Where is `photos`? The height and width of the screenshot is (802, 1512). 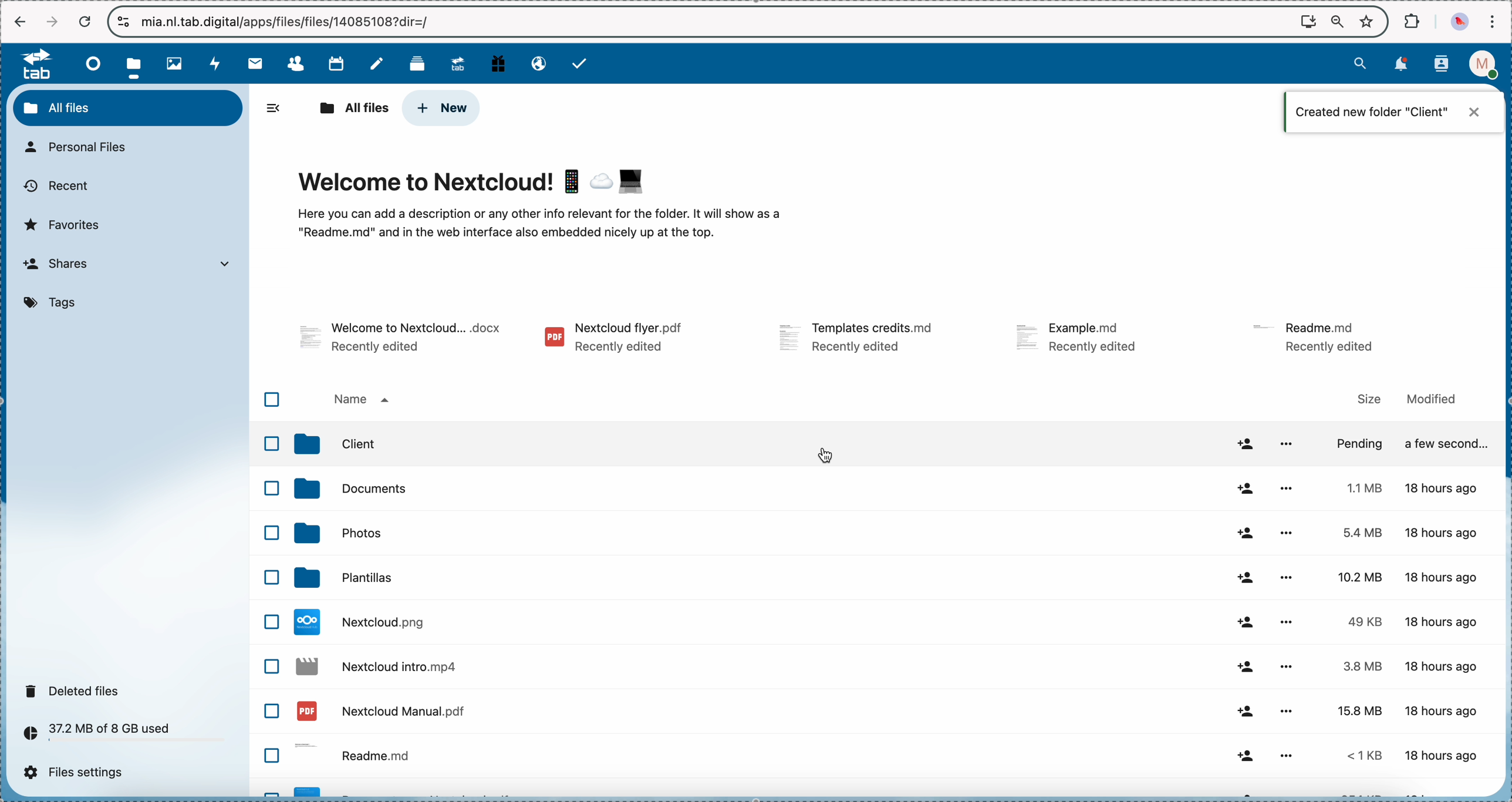 photos is located at coordinates (178, 64).